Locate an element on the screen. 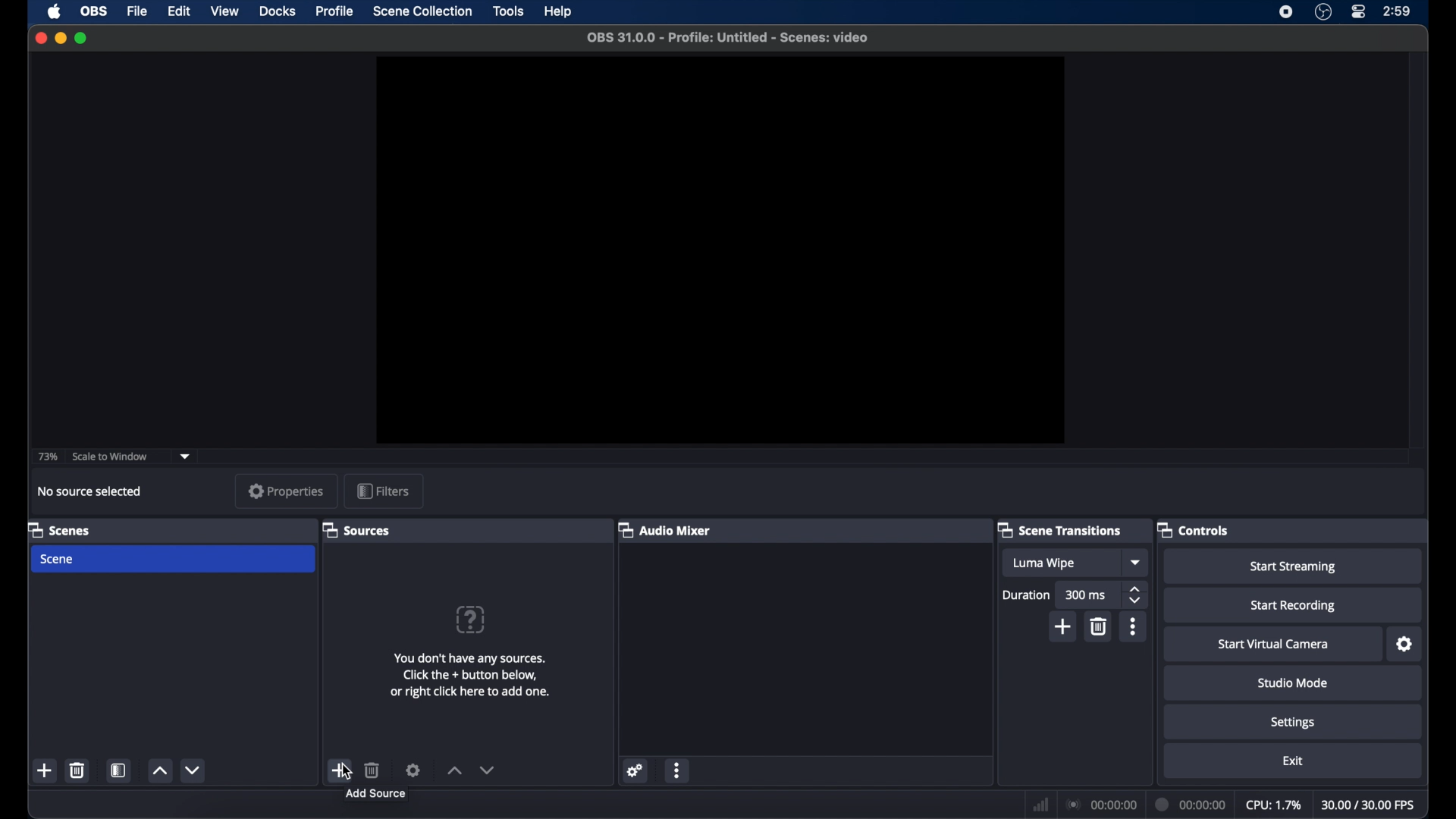 The image size is (1456, 819). scene filters is located at coordinates (118, 770).